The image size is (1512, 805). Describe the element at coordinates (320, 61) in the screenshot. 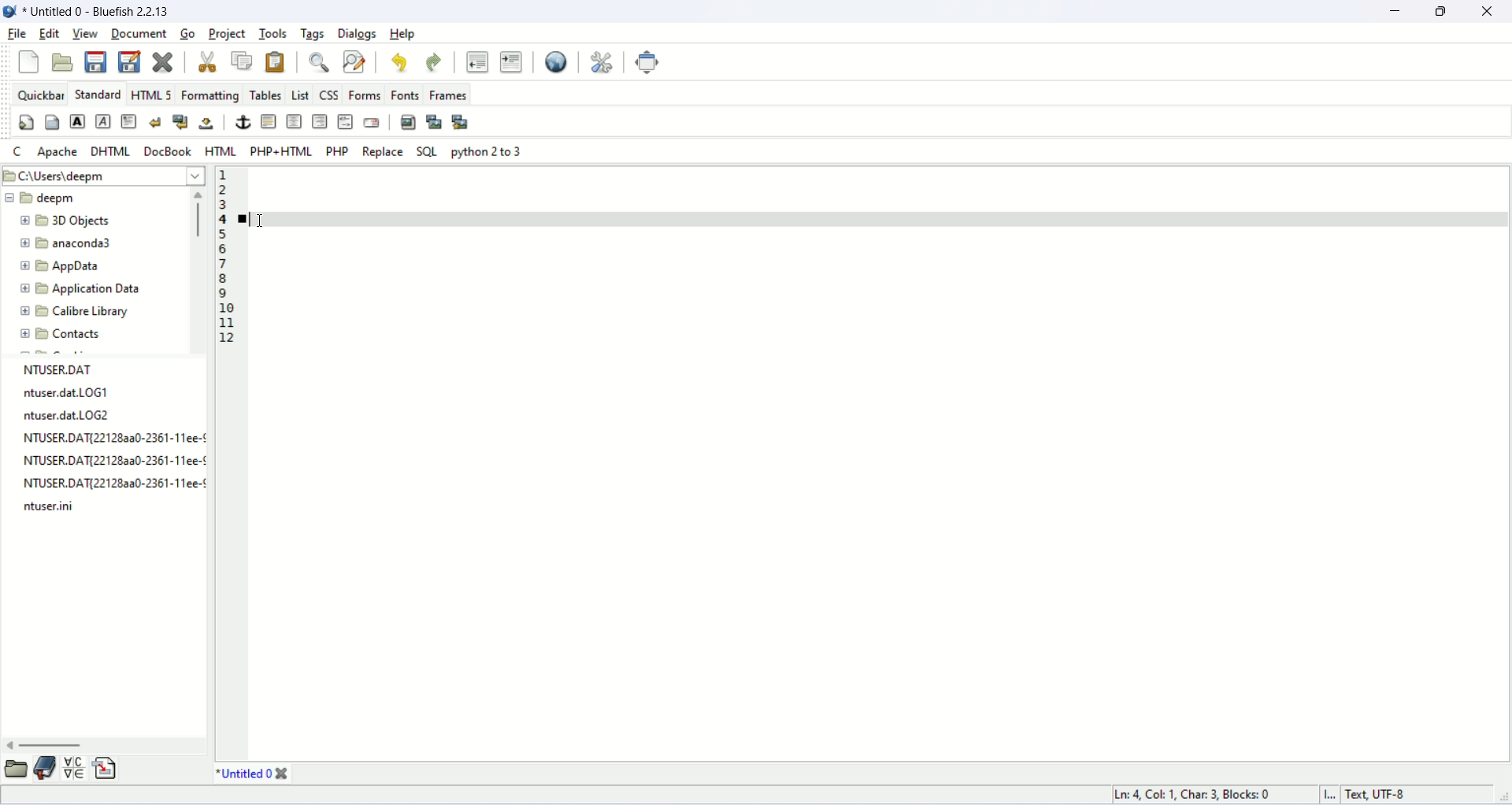

I see `show find bar` at that location.